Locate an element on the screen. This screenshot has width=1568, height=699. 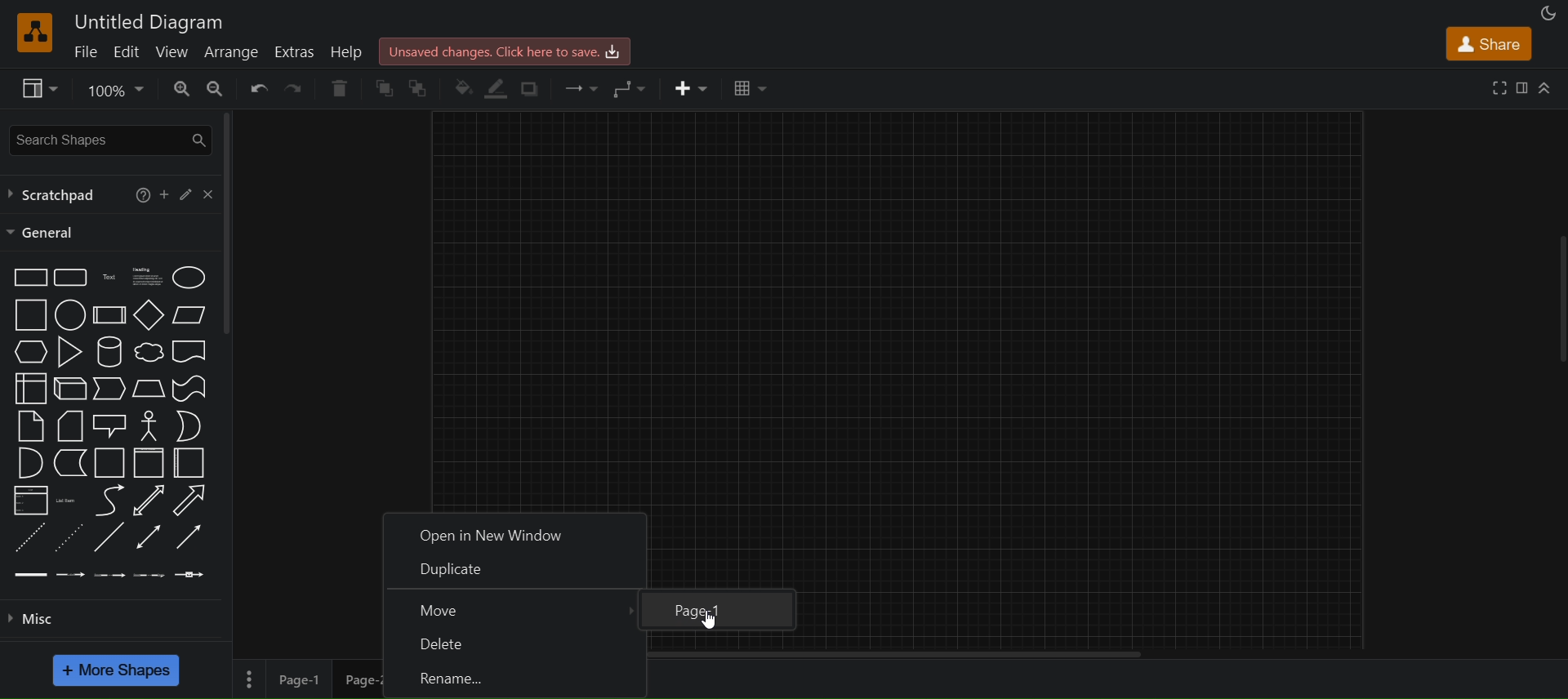
zoom in is located at coordinates (182, 88).